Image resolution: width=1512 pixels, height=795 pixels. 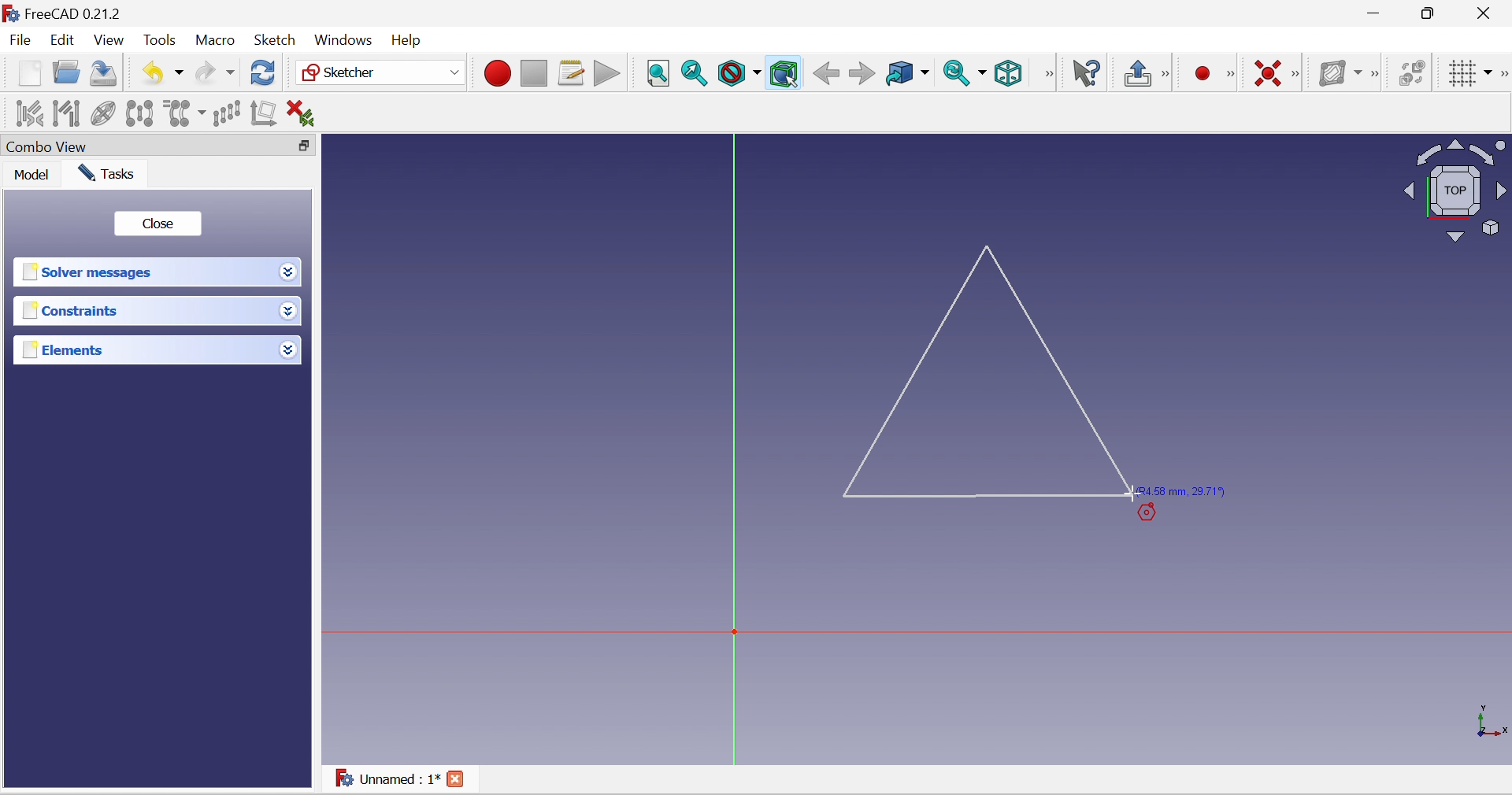 I want to click on Undo, so click(x=161, y=74).